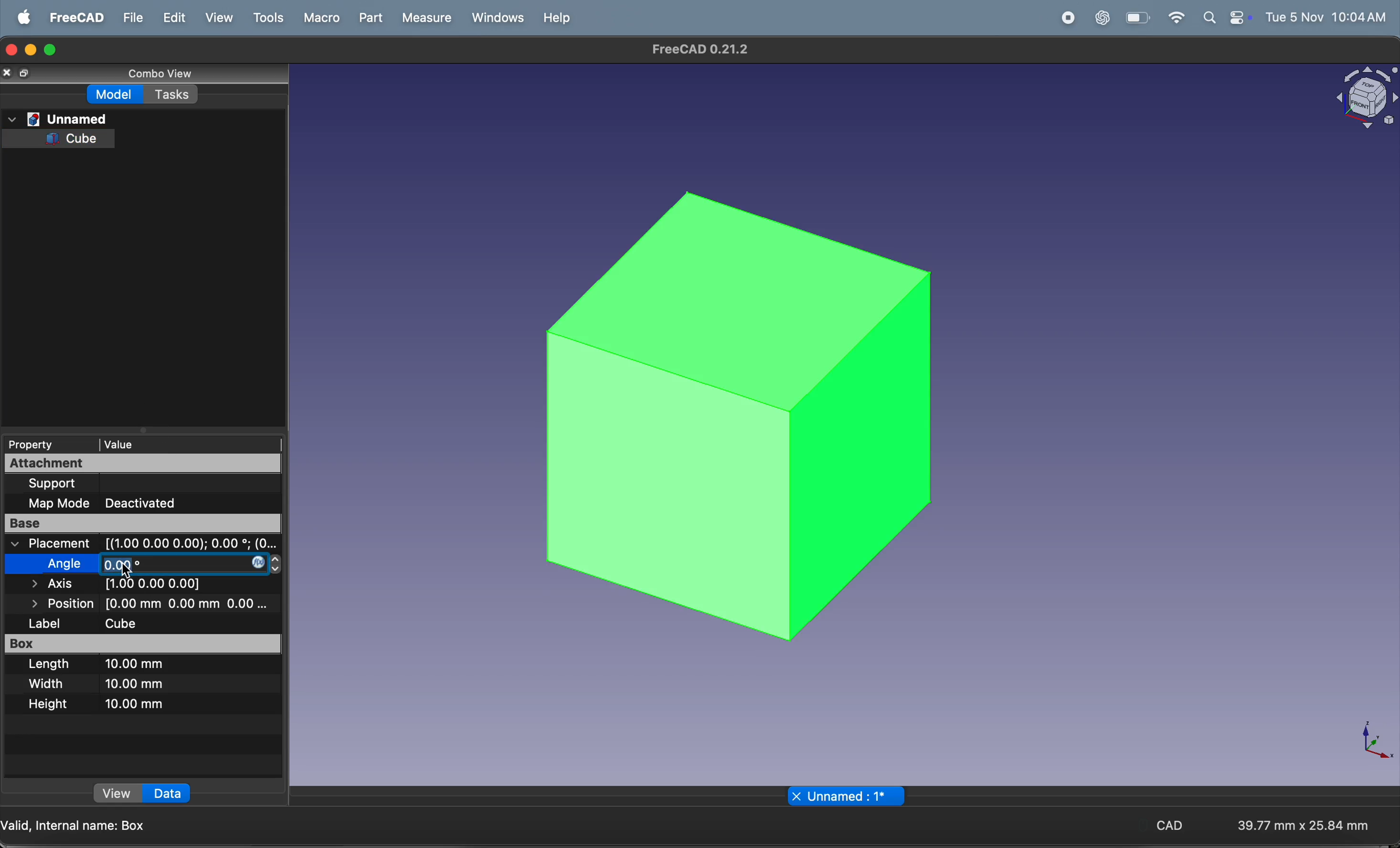 Image resolution: width=1400 pixels, height=848 pixels. What do you see at coordinates (127, 18) in the screenshot?
I see `file` at bounding box center [127, 18].